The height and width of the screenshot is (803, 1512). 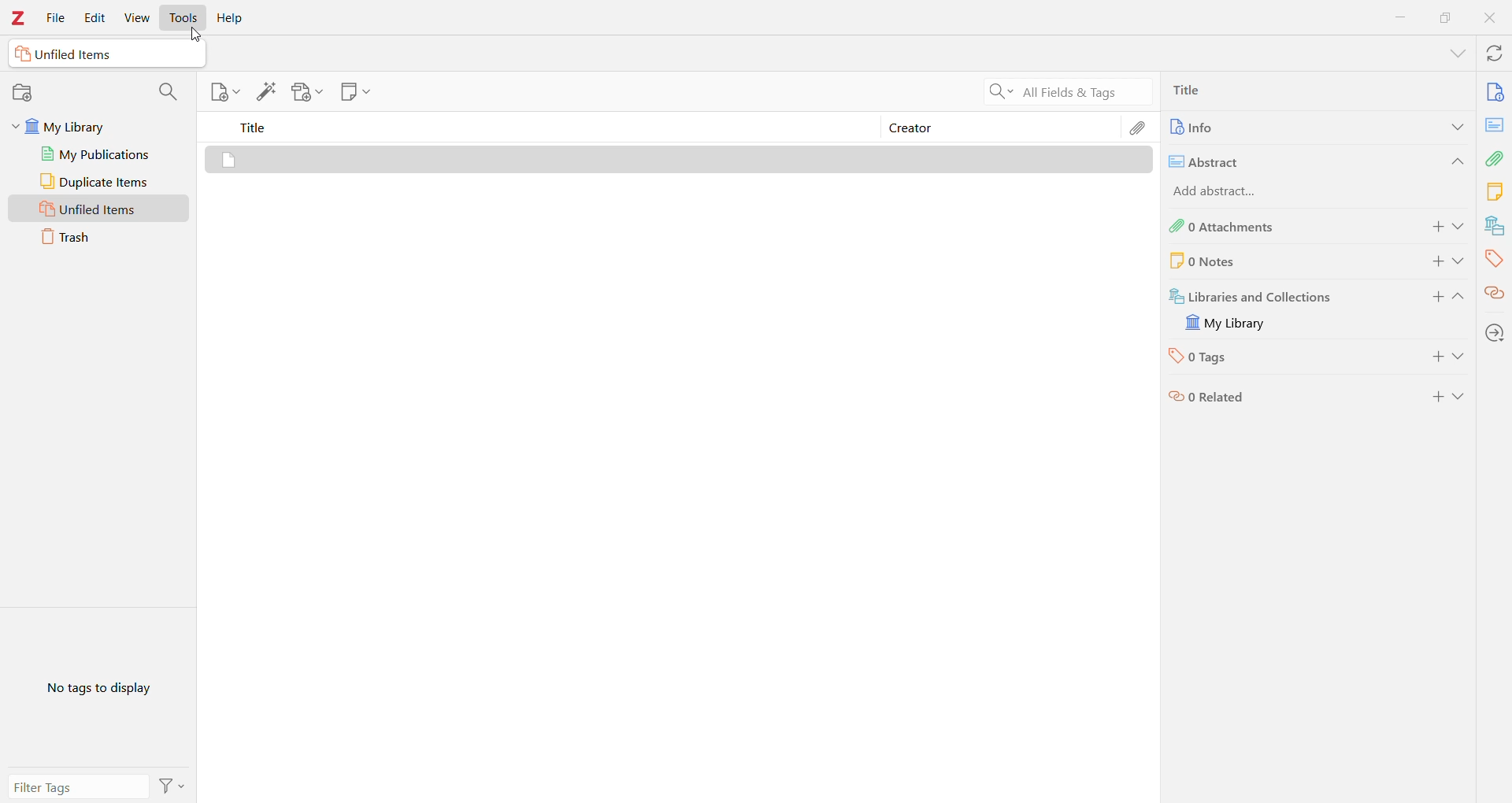 I want to click on Related, so click(x=1495, y=292).